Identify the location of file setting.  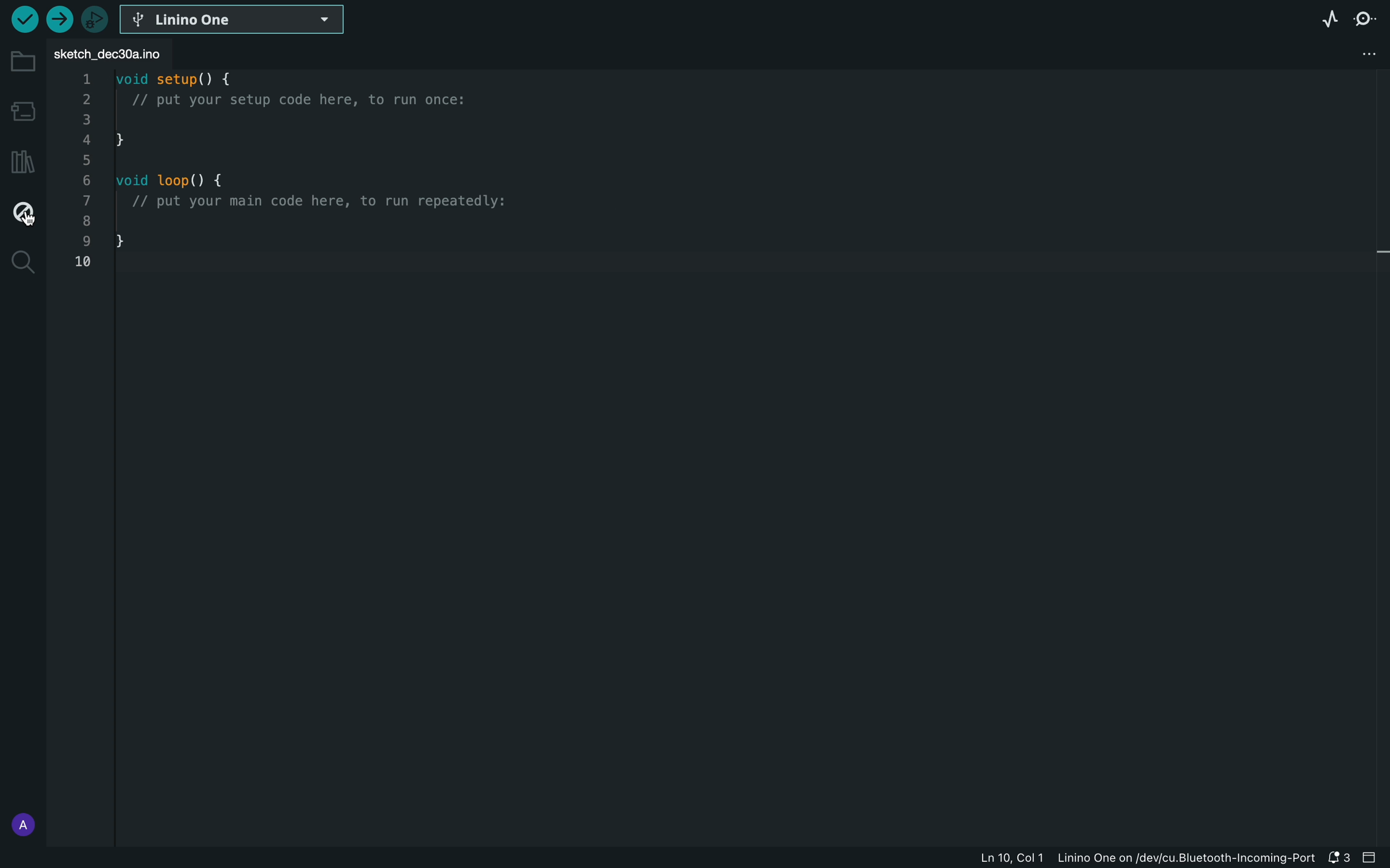
(1356, 52).